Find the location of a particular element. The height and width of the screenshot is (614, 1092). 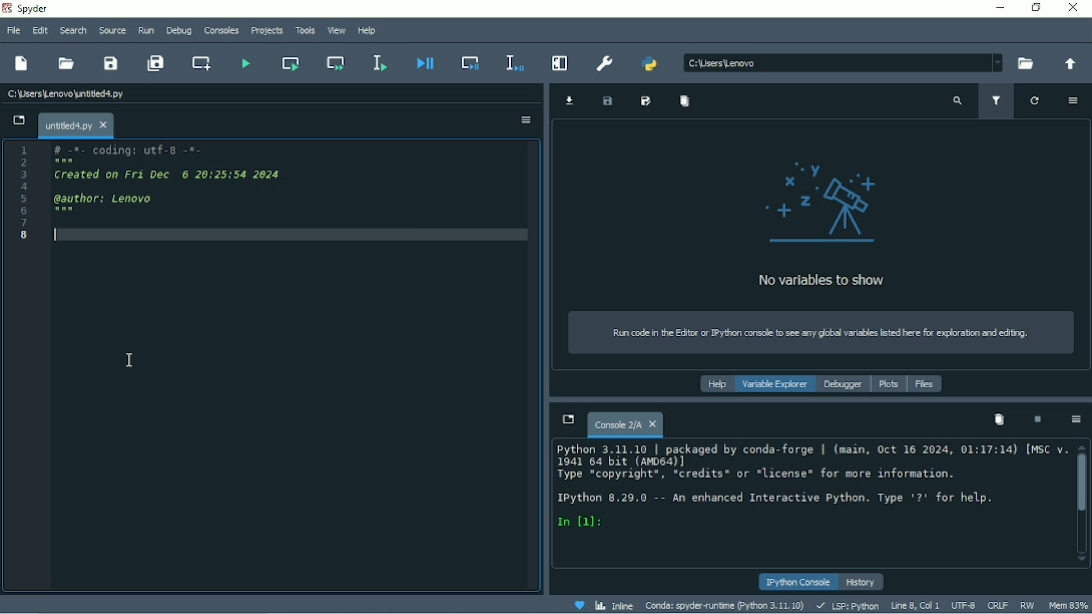

UTF is located at coordinates (964, 606).